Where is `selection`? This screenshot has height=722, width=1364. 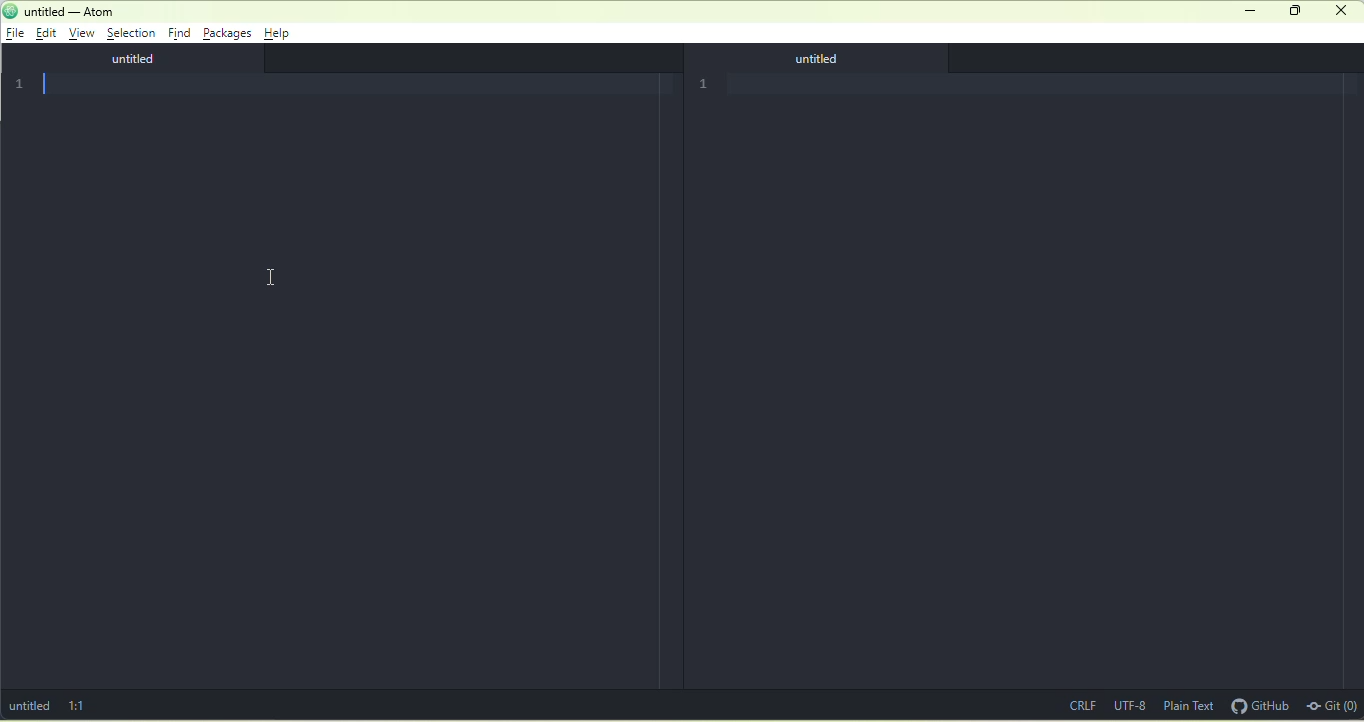
selection is located at coordinates (131, 34).